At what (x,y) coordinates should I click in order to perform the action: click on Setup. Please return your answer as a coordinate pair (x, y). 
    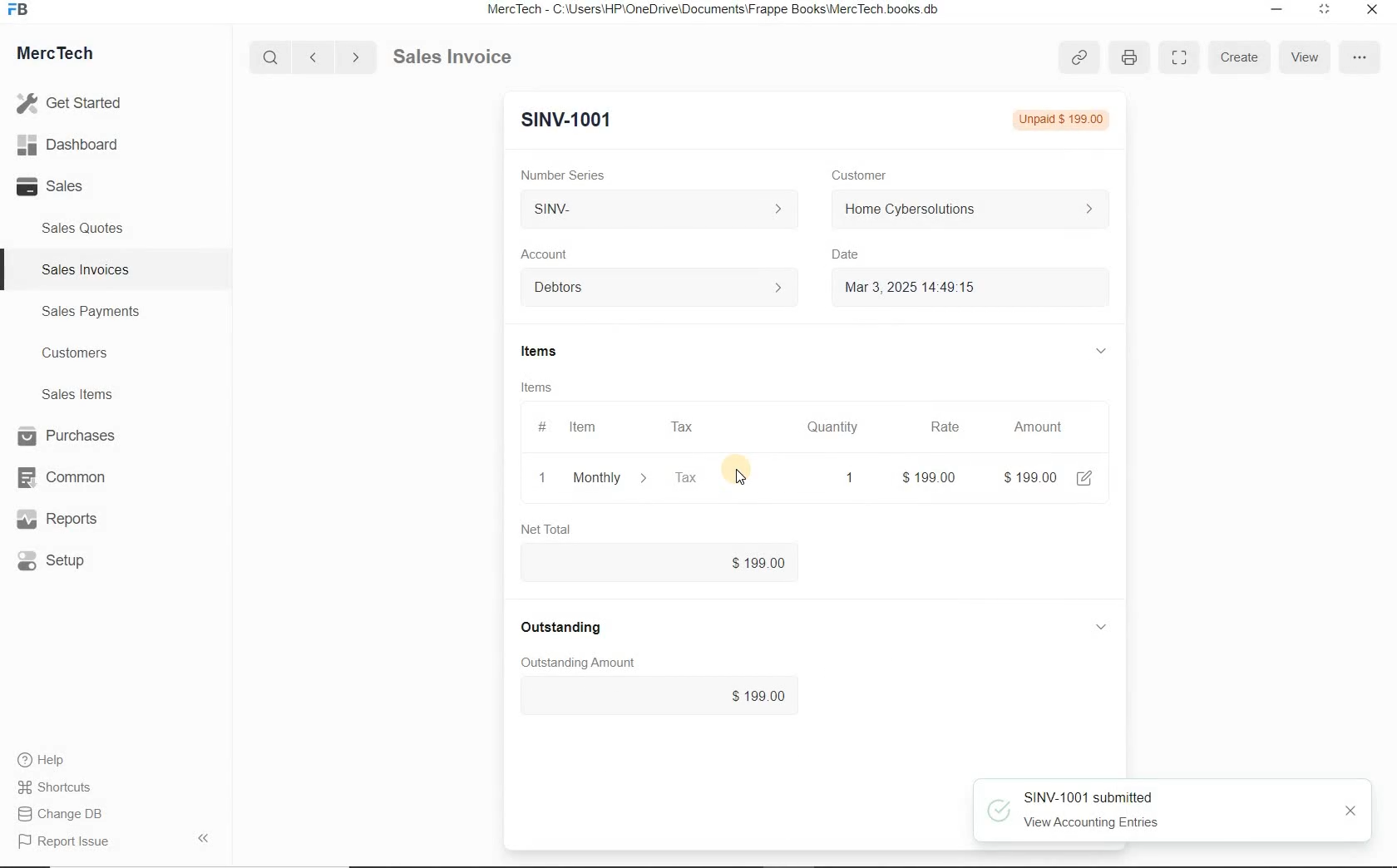
    Looking at the image, I should click on (70, 560).